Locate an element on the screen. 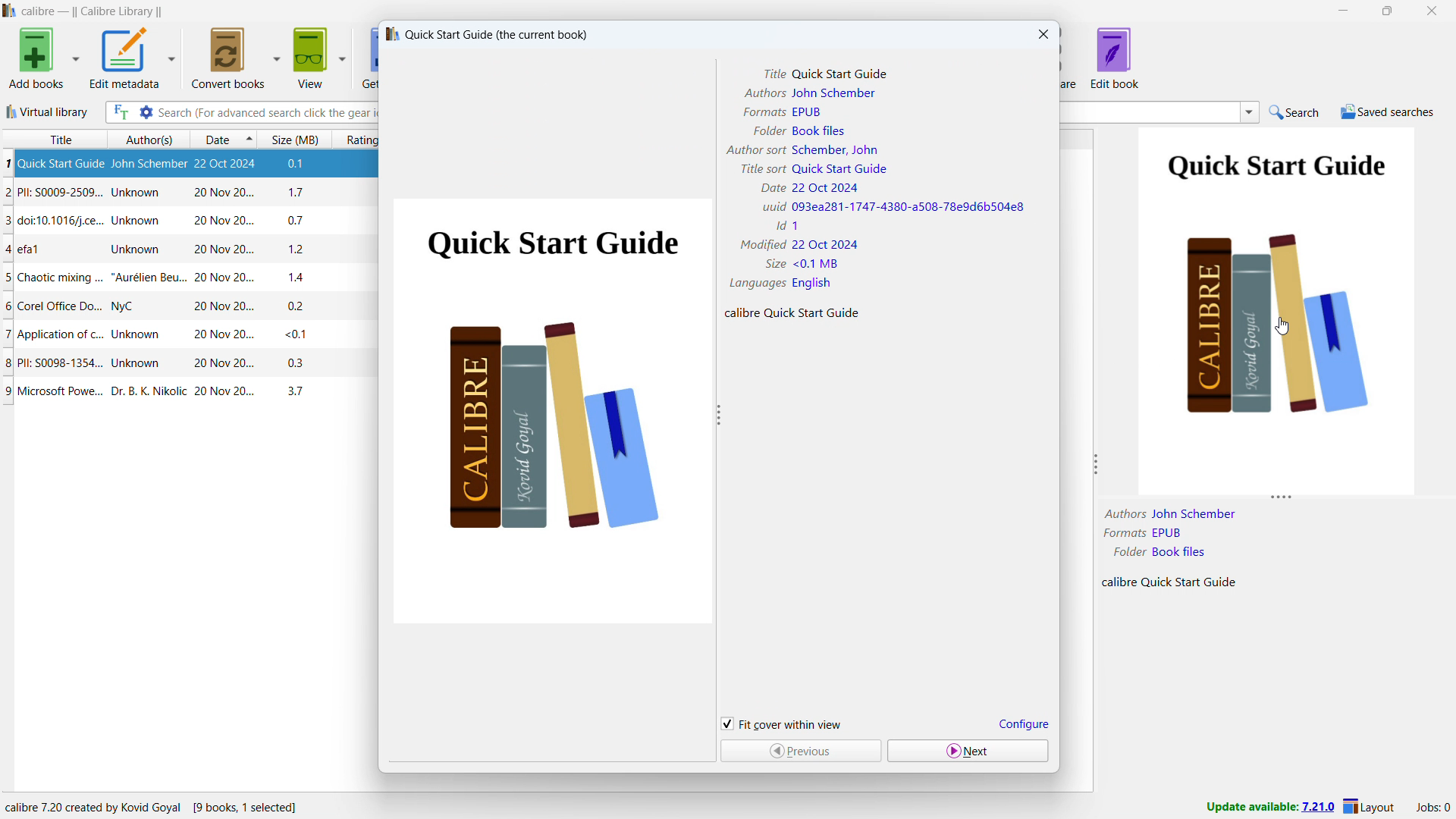 Image resolution: width=1456 pixels, height=819 pixels. title is located at coordinates (52, 139).